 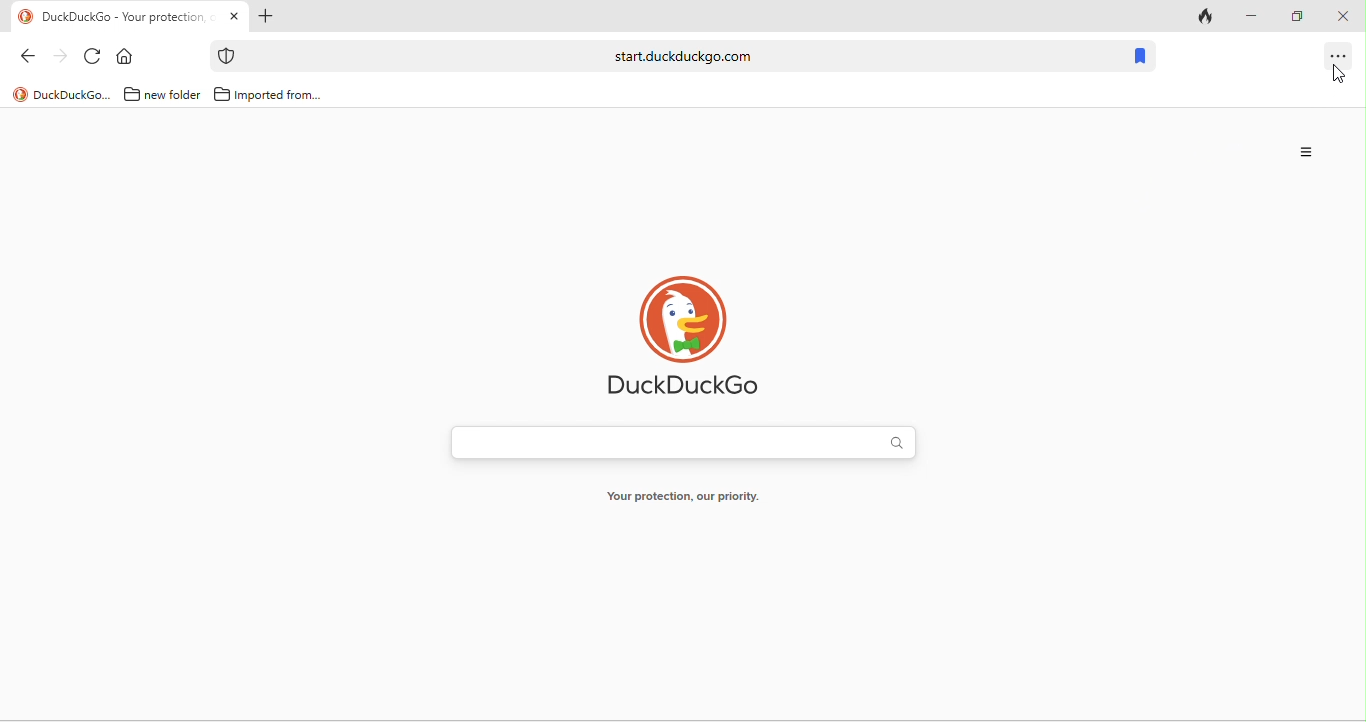 I want to click on your protection, our priority., so click(x=692, y=497).